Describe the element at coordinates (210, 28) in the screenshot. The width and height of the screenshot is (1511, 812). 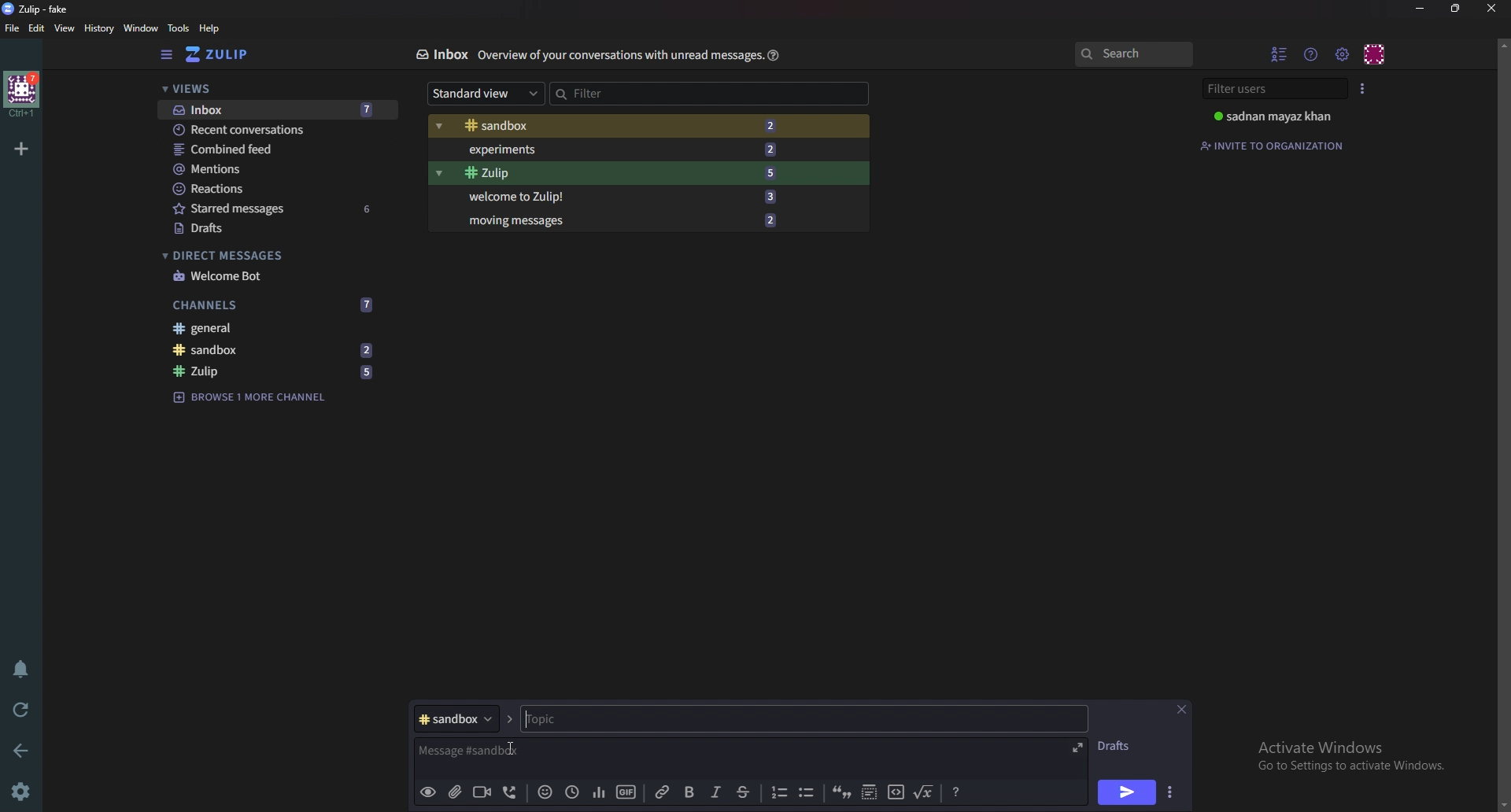
I see `help` at that location.